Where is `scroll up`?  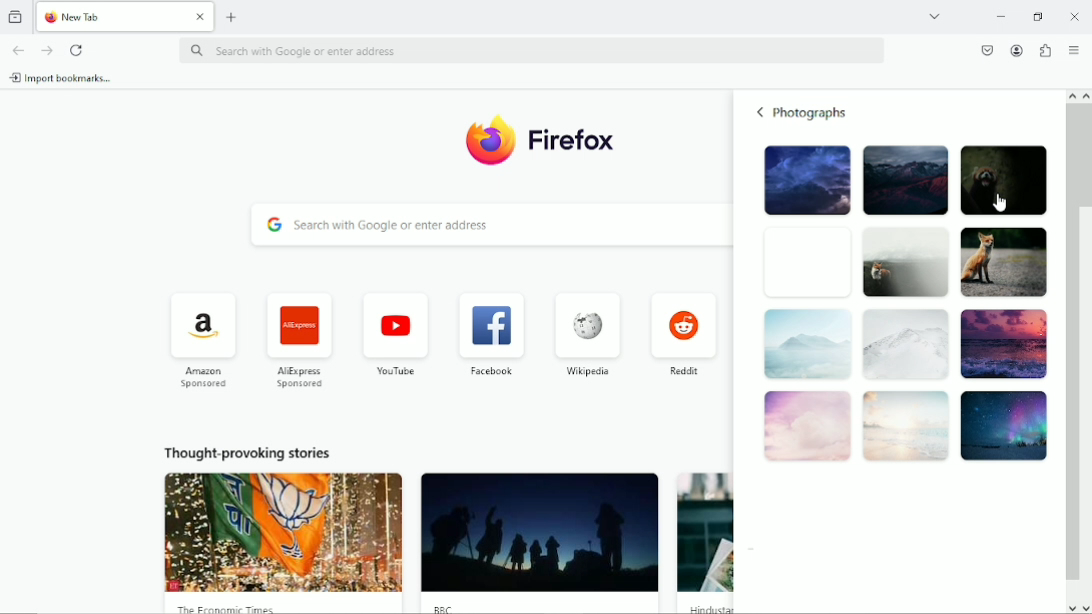 scroll up is located at coordinates (1070, 94).